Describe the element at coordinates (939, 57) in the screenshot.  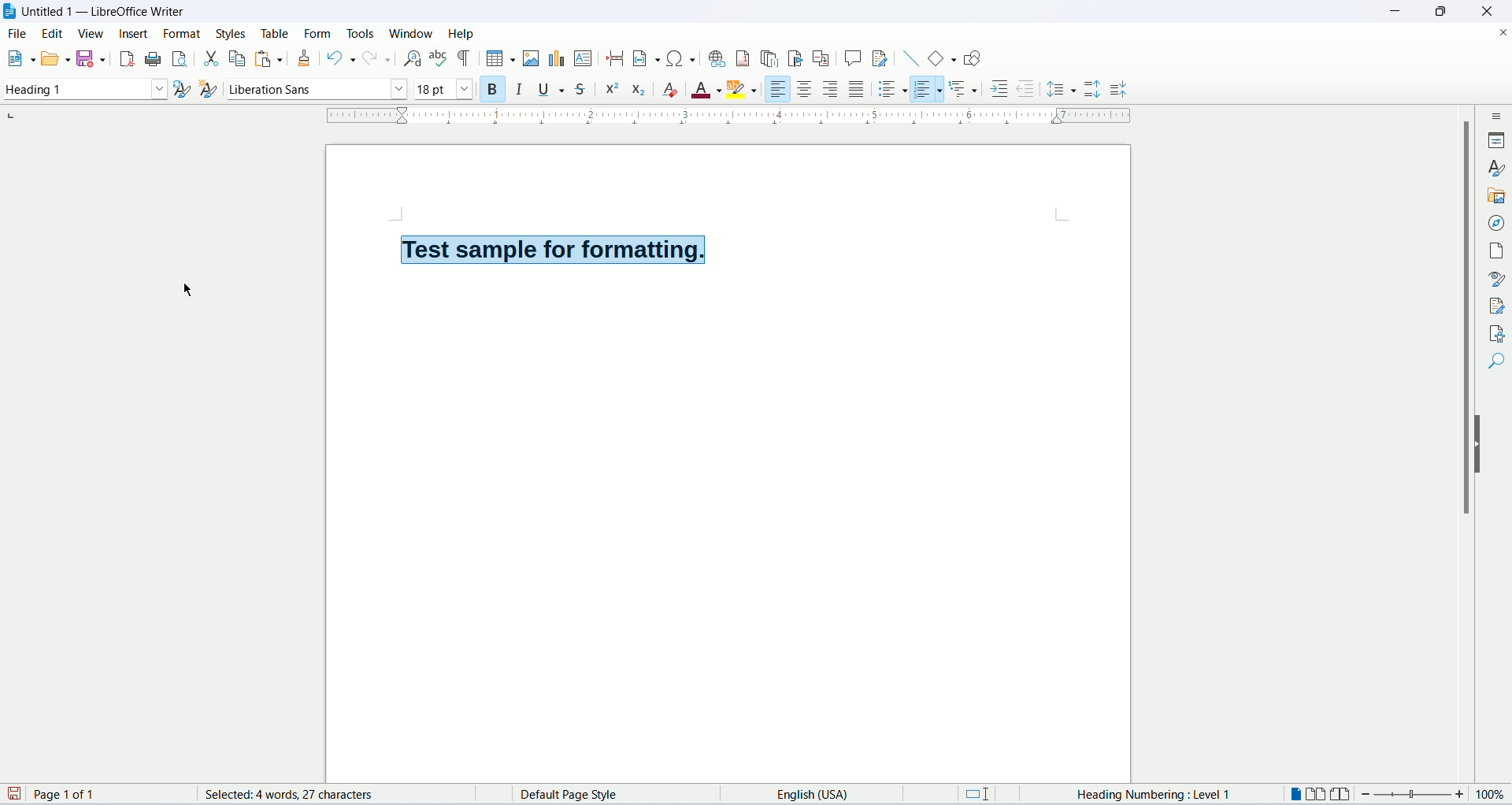
I see `basic shapes` at that location.